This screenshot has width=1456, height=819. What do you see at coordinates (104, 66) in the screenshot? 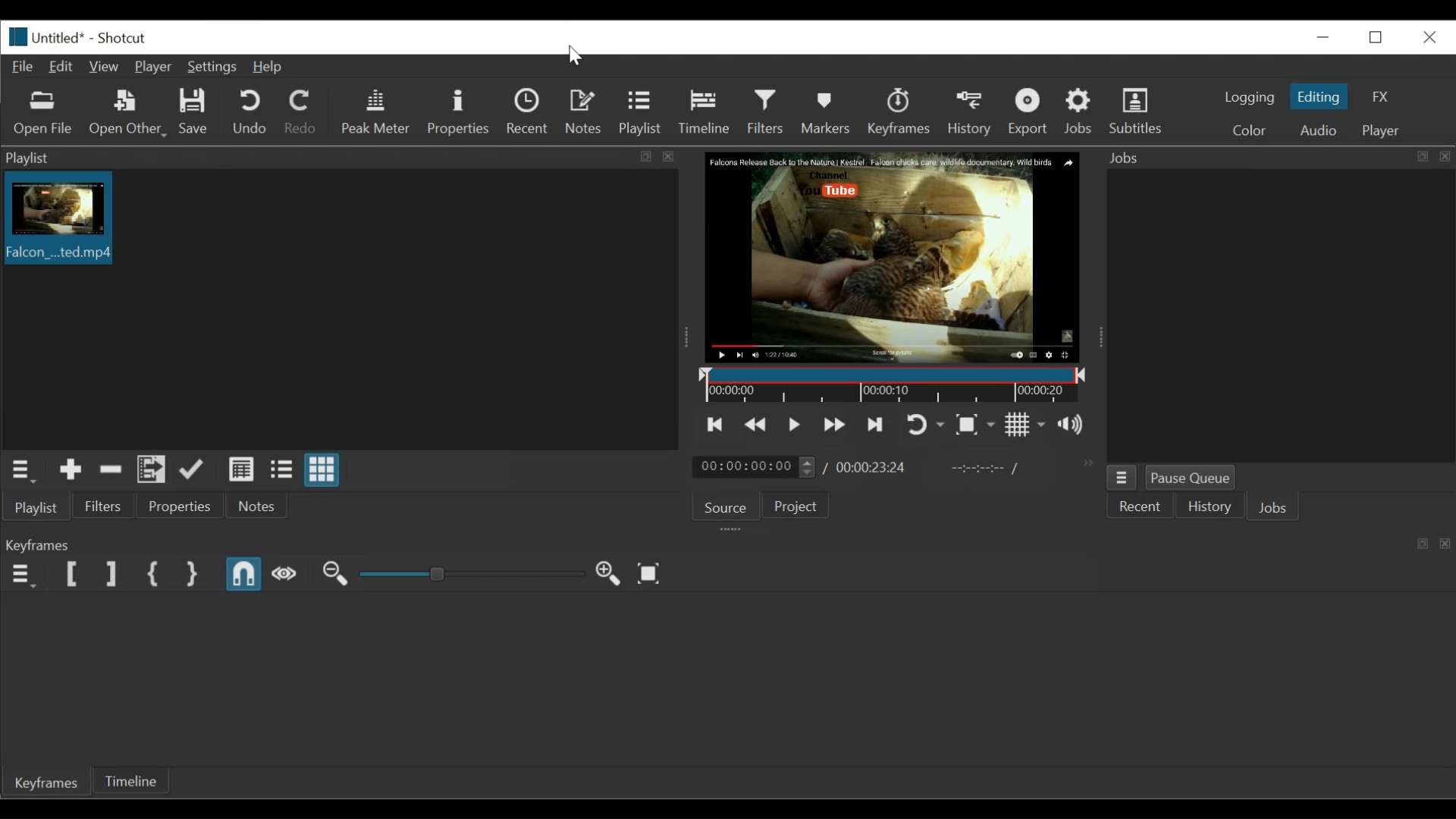
I see `View` at bounding box center [104, 66].